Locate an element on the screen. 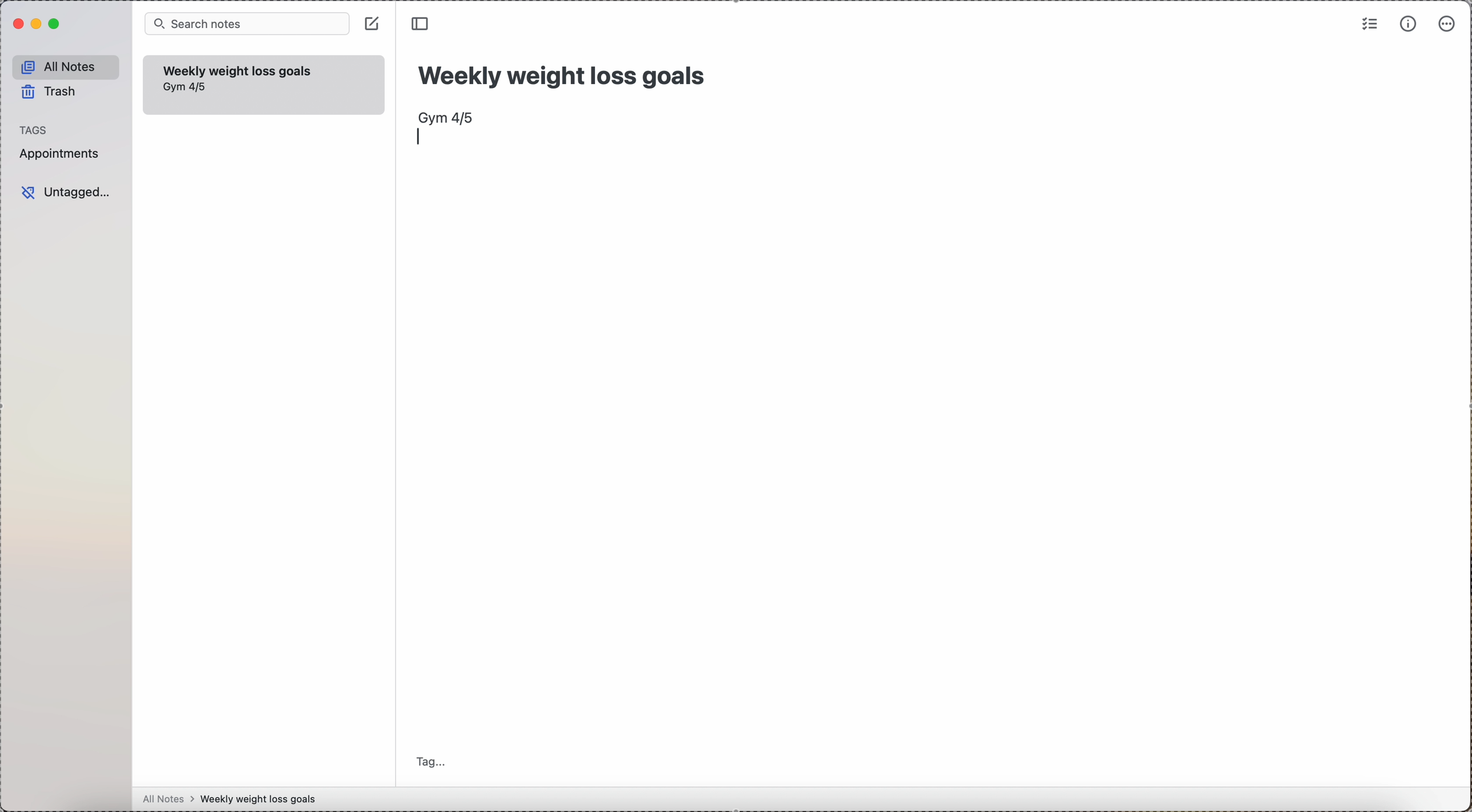 The height and width of the screenshot is (812, 1472). maximize Simplenote is located at coordinates (56, 24).